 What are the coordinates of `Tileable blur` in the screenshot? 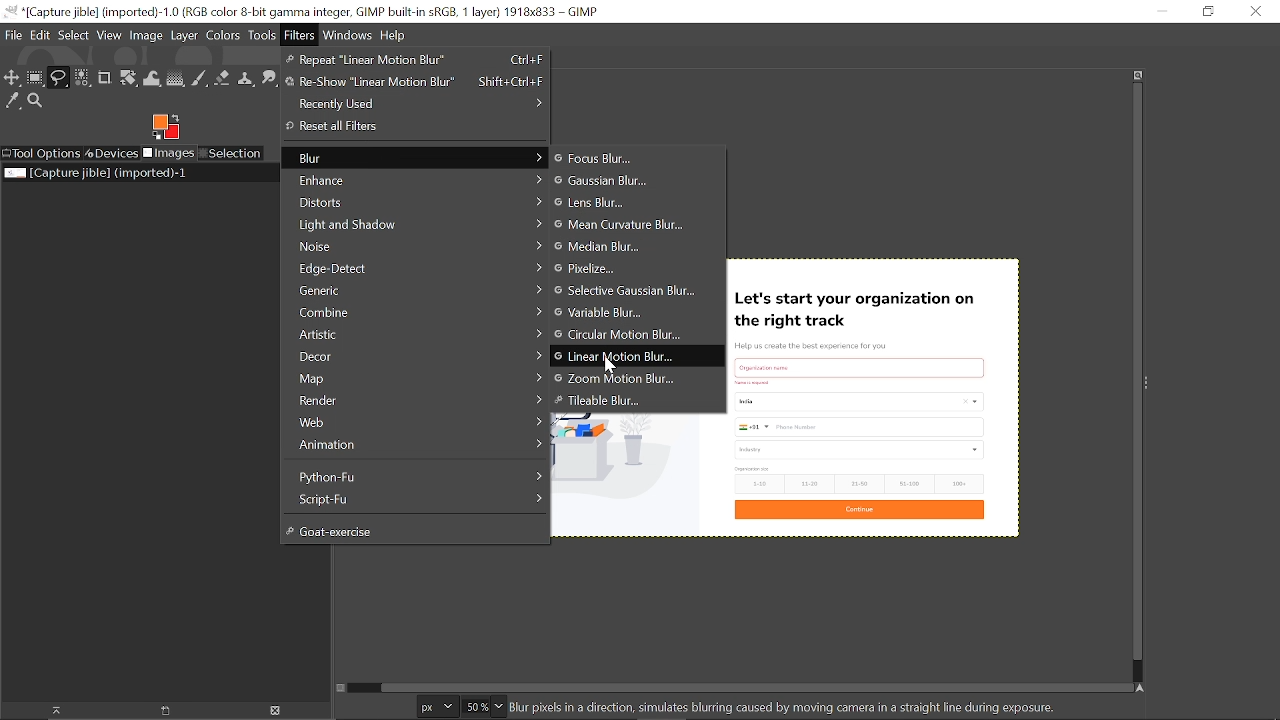 It's located at (614, 400).